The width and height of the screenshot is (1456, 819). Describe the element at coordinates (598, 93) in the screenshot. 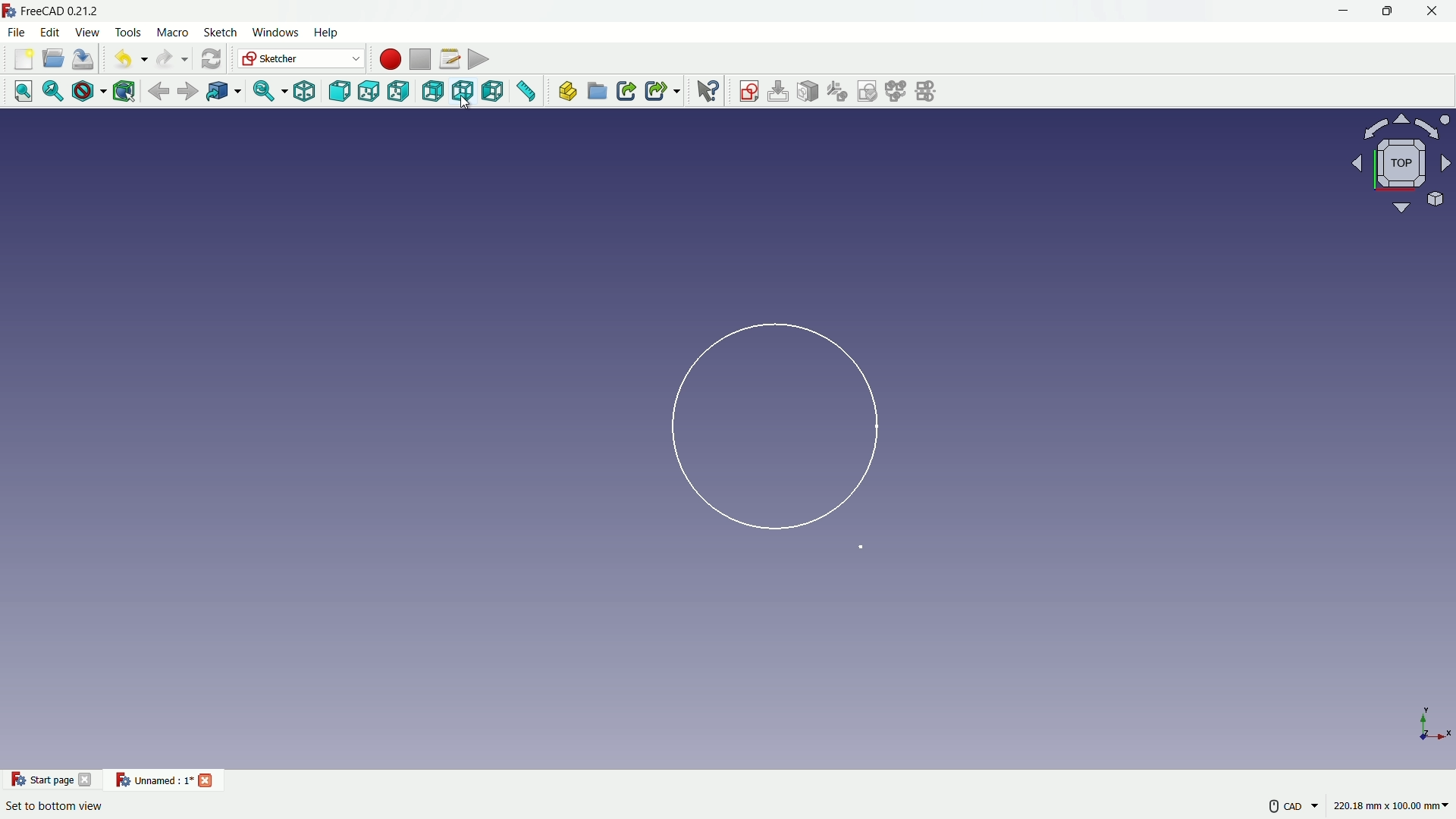

I see `create group` at that location.